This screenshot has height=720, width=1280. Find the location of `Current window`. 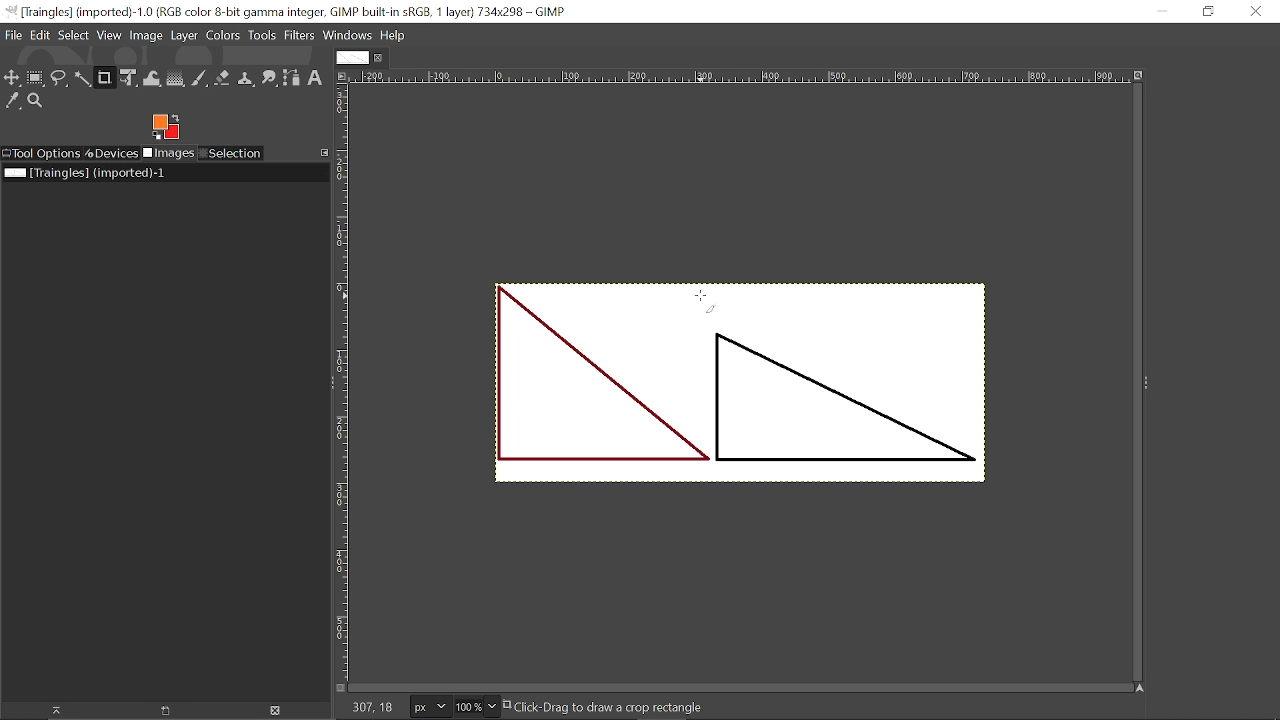

Current window is located at coordinates (290, 11).